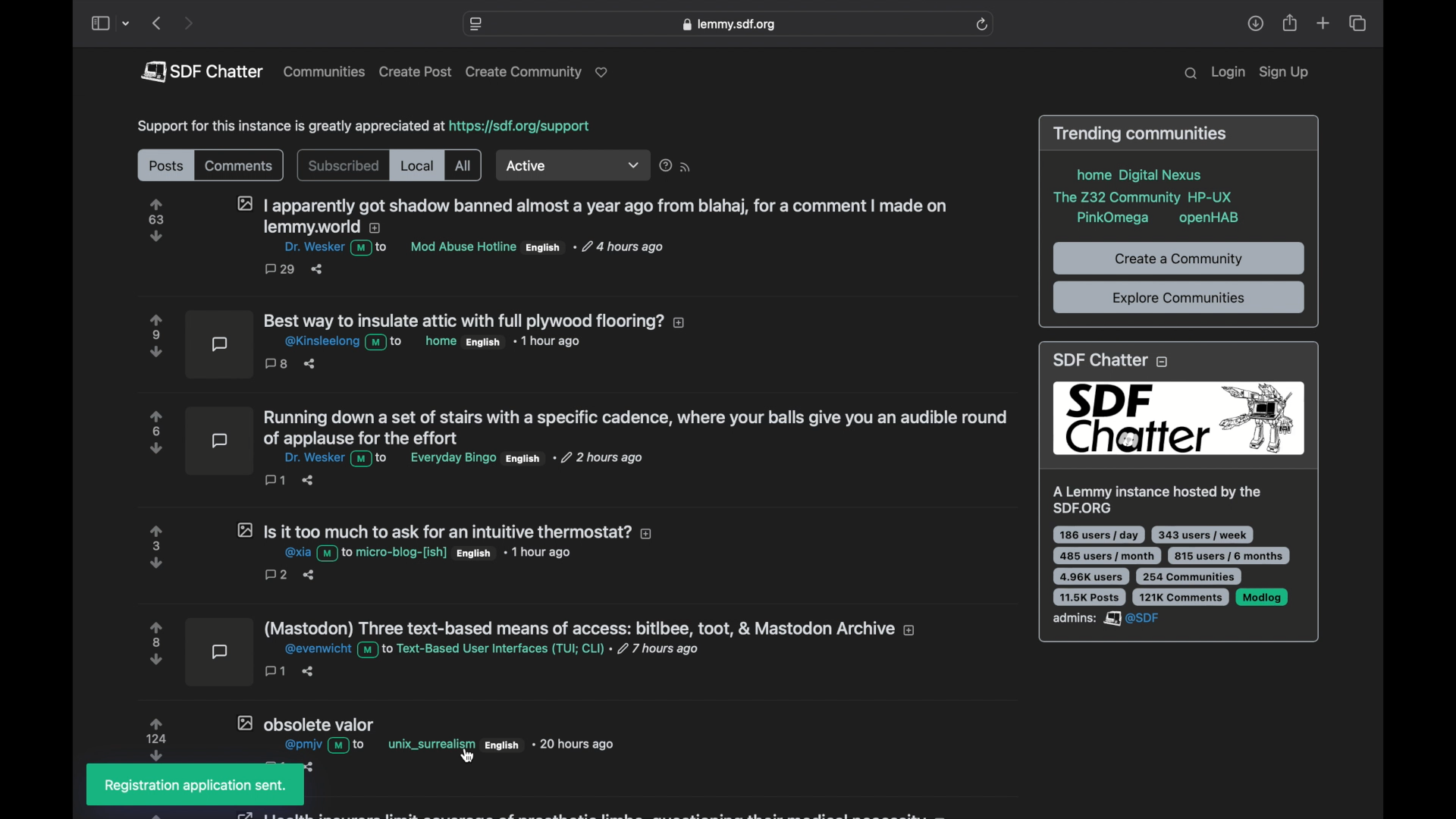  Describe the element at coordinates (1284, 74) in the screenshot. I see `sign up` at that location.